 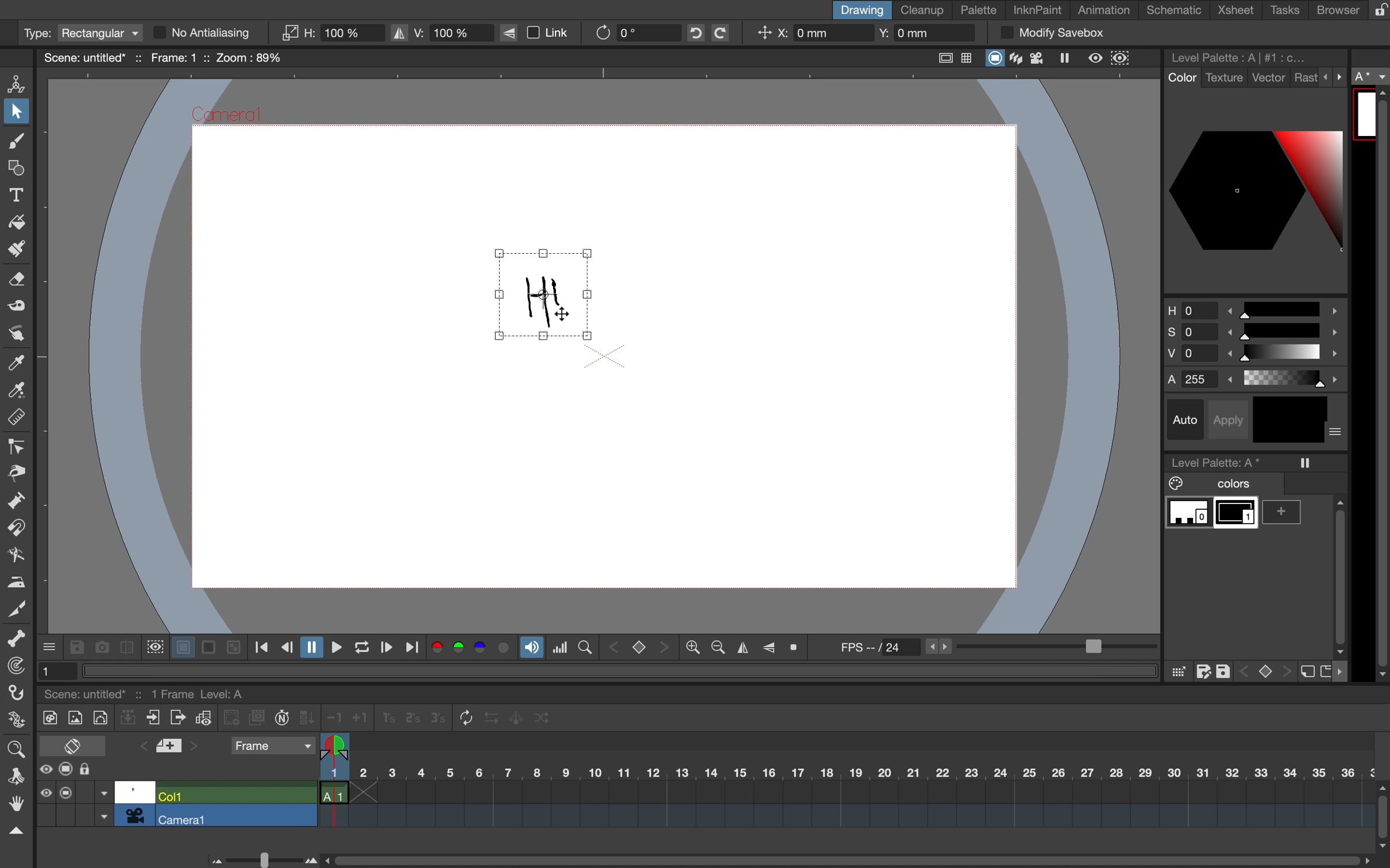 I want to click on cleanup, so click(x=923, y=9).